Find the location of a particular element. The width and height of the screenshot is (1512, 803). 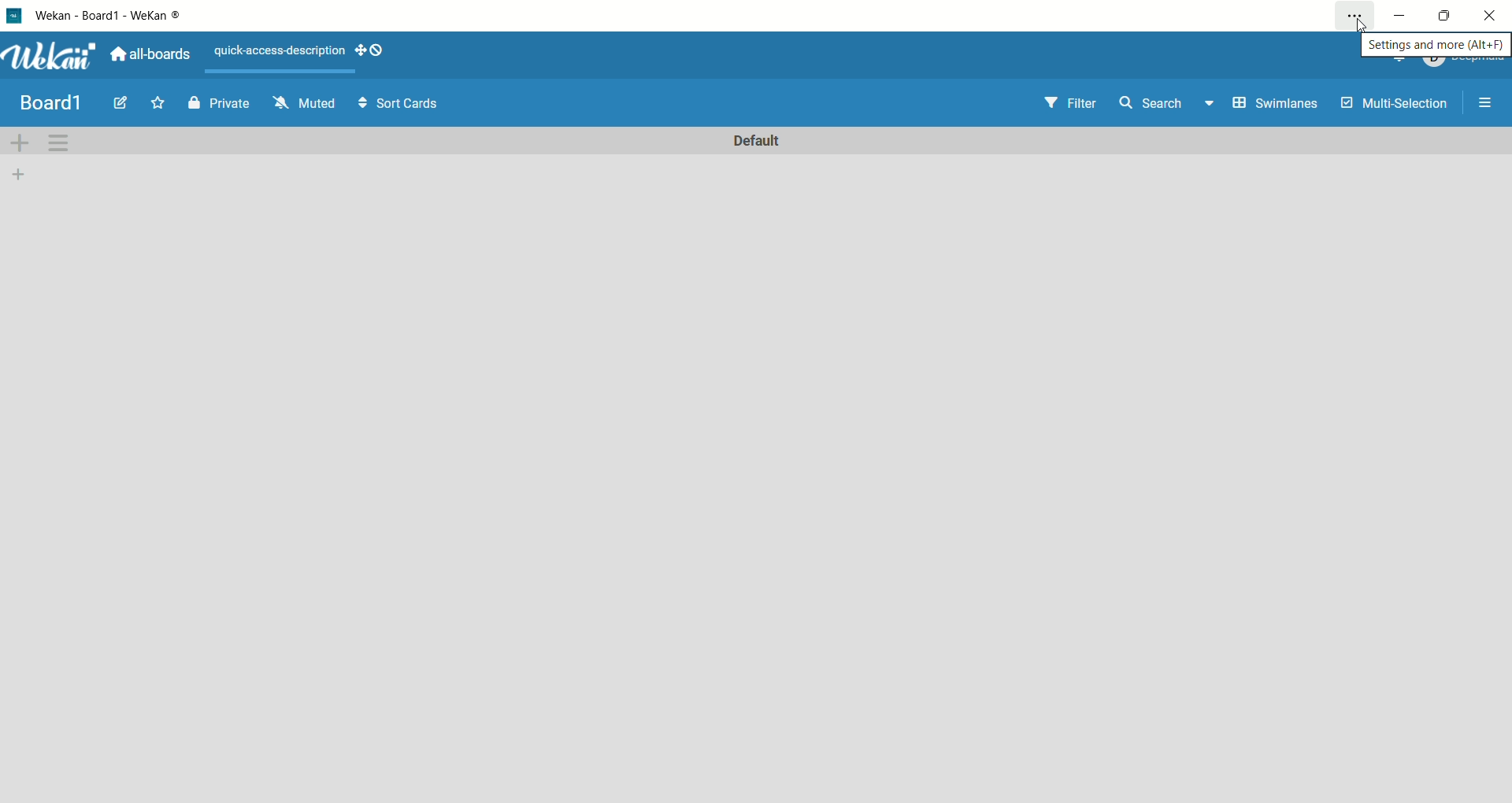

muted is located at coordinates (305, 101).